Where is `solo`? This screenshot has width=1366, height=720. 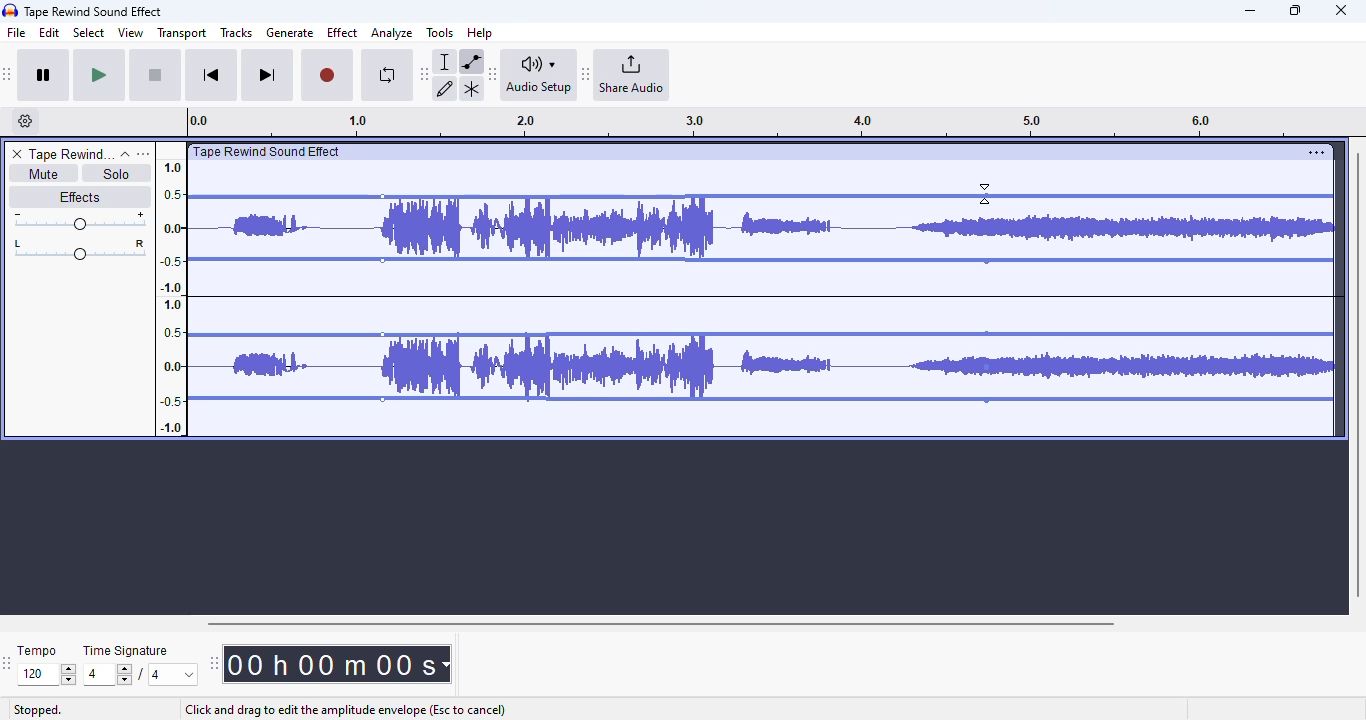
solo is located at coordinates (117, 173).